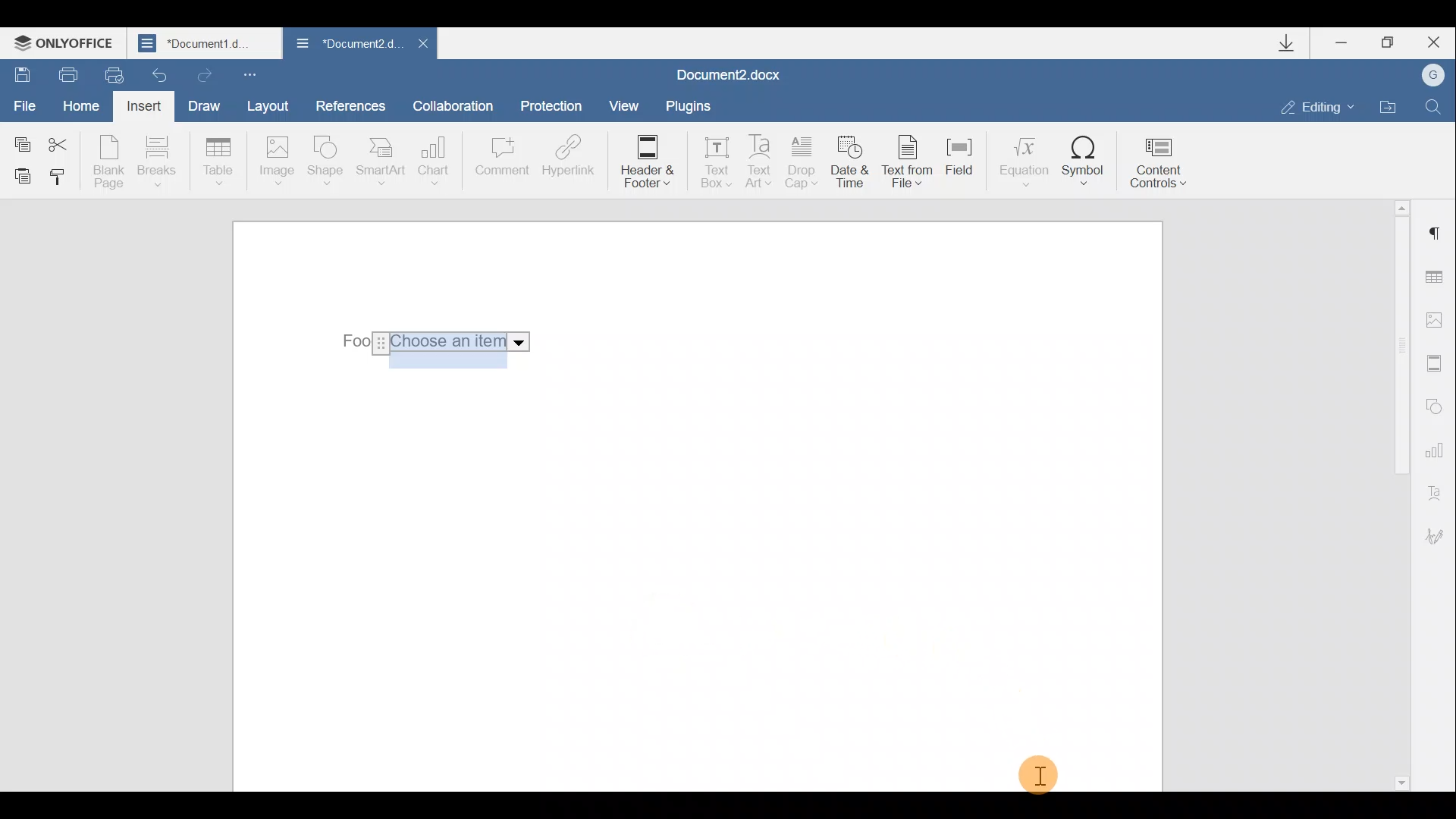 The image size is (1456, 819). I want to click on Editing mode, so click(1318, 106).